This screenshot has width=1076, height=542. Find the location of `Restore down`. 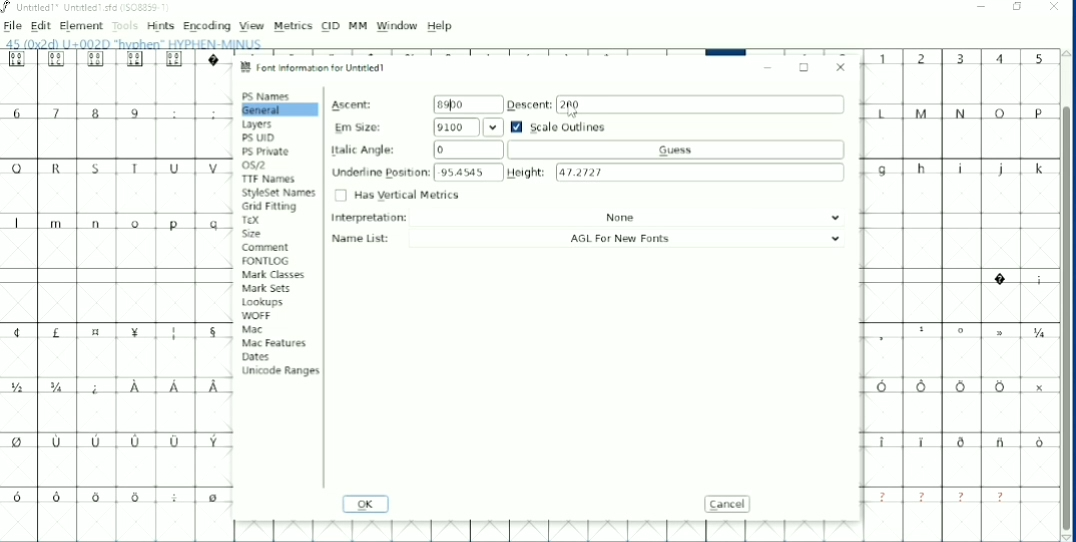

Restore down is located at coordinates (1019, 7).